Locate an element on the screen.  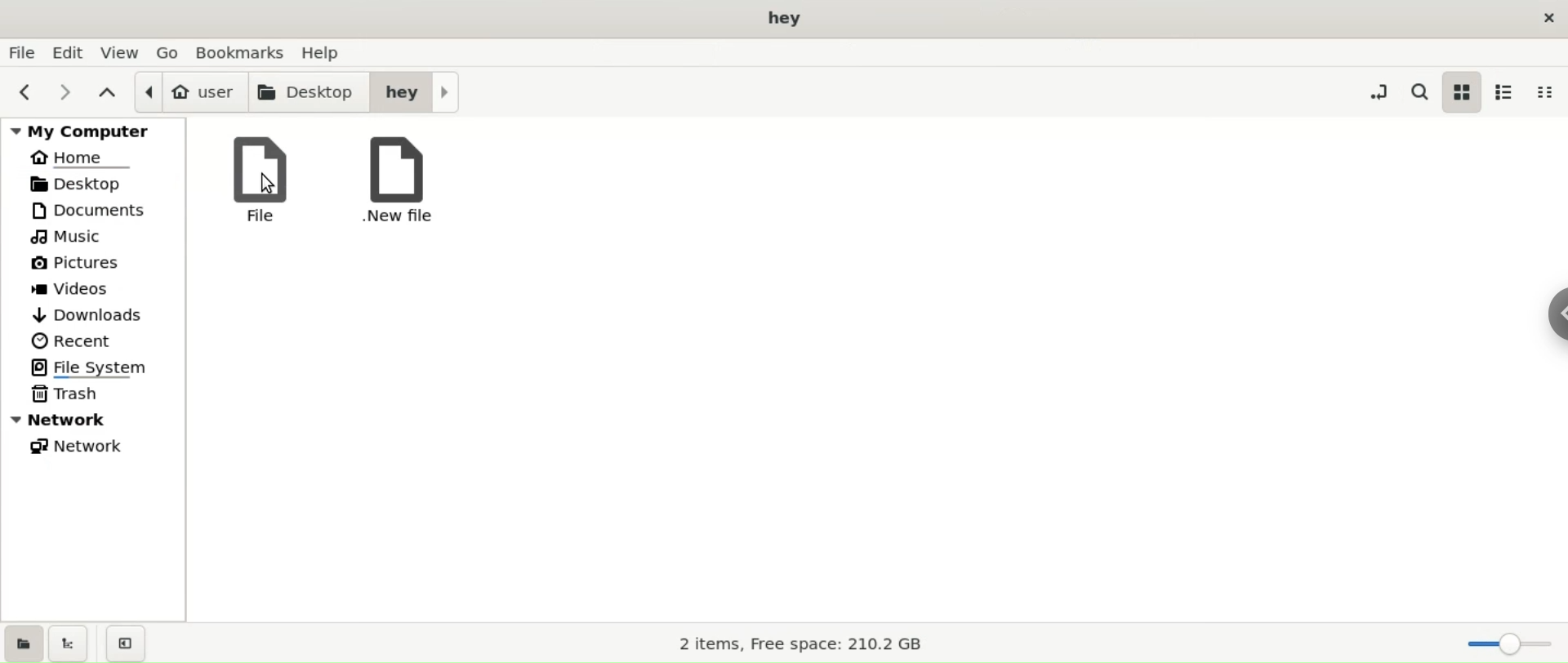
user is located at coordinates (189, 92).